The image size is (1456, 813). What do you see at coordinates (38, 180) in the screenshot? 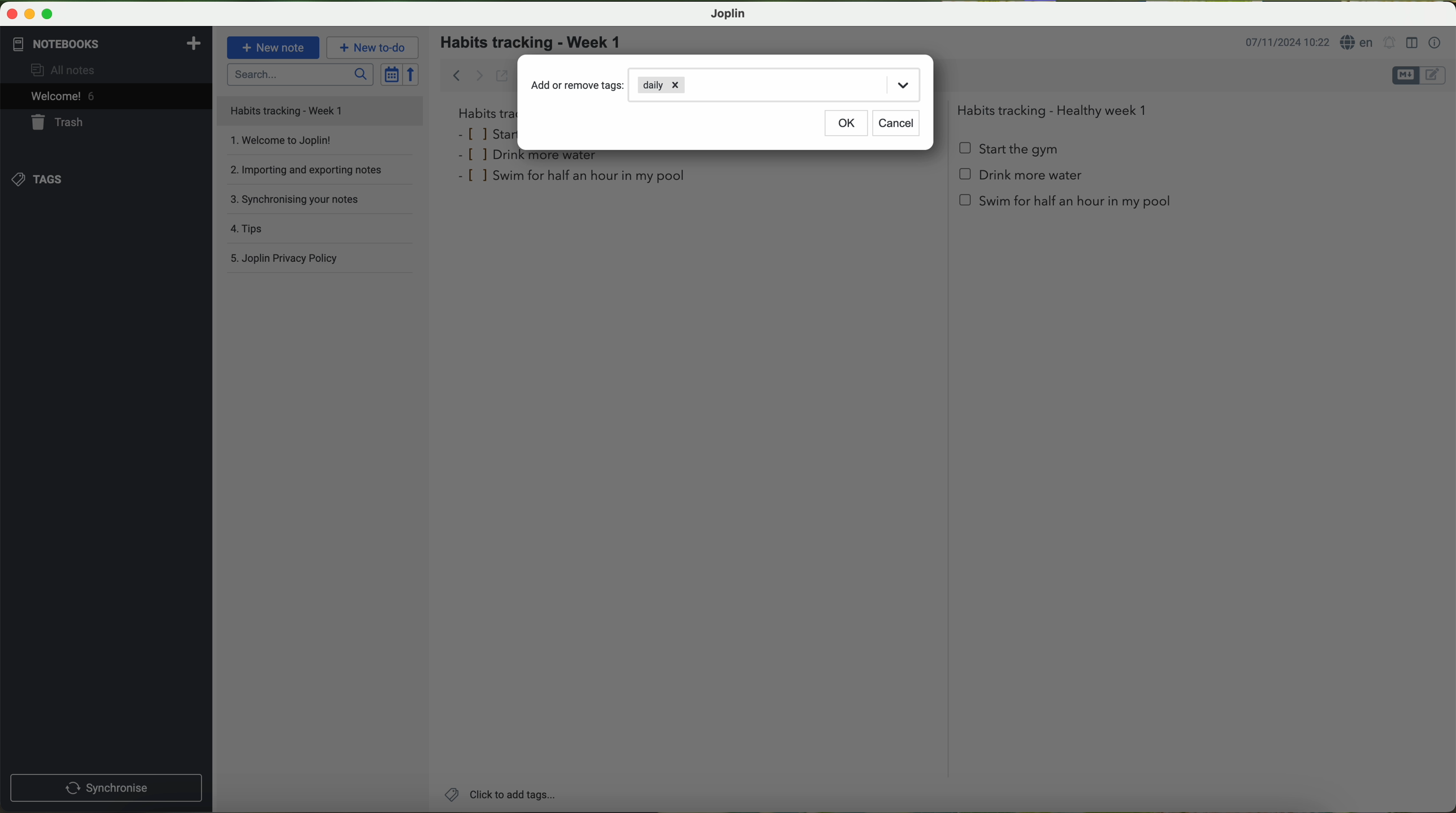
I see `tags` at bounding box center [38, 180].